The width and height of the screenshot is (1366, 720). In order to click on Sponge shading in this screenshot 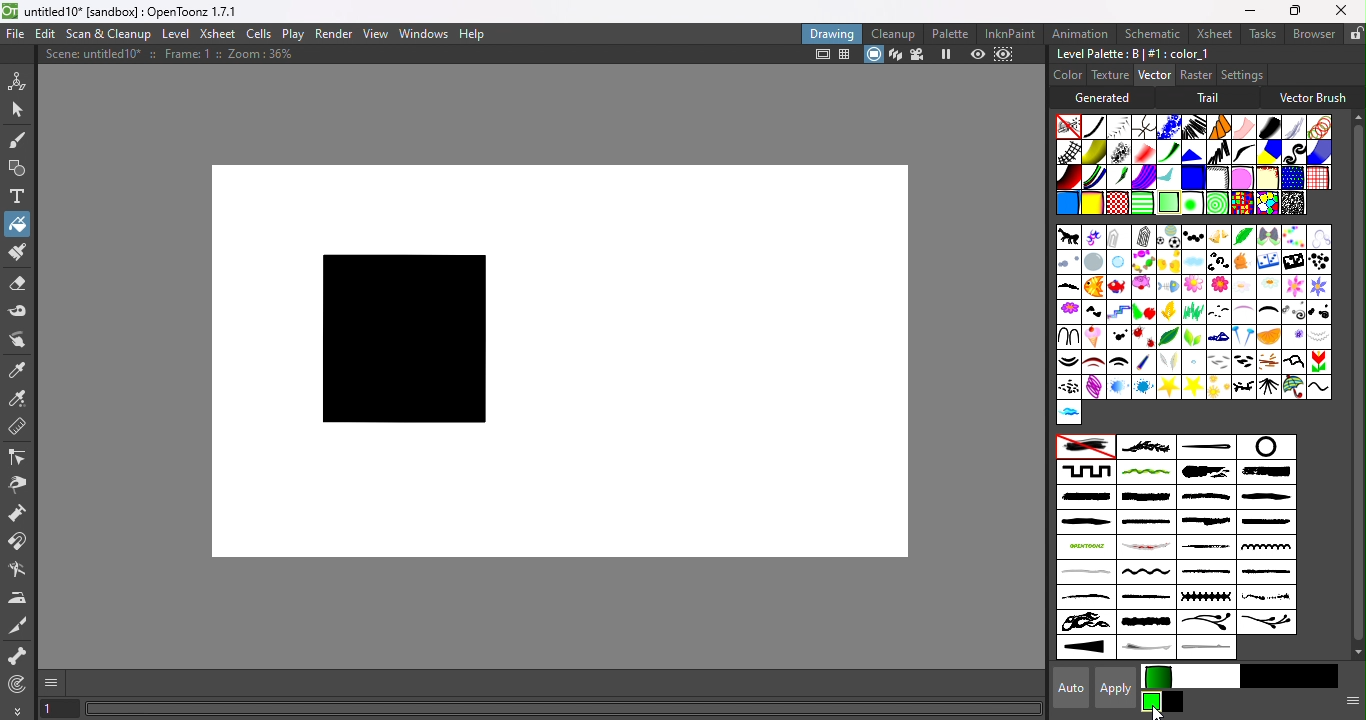, I will do `click(1267, 177)`.